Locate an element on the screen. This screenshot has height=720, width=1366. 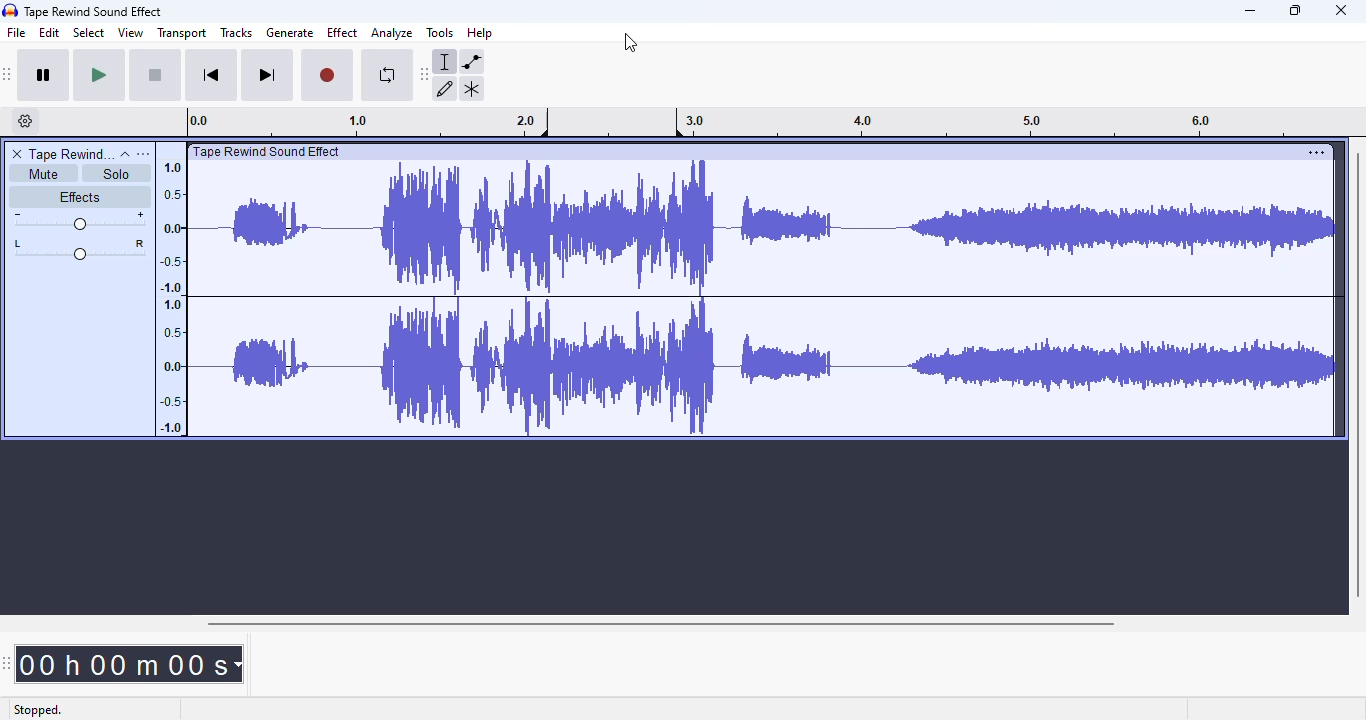
help is located at coordinates (480, 33).